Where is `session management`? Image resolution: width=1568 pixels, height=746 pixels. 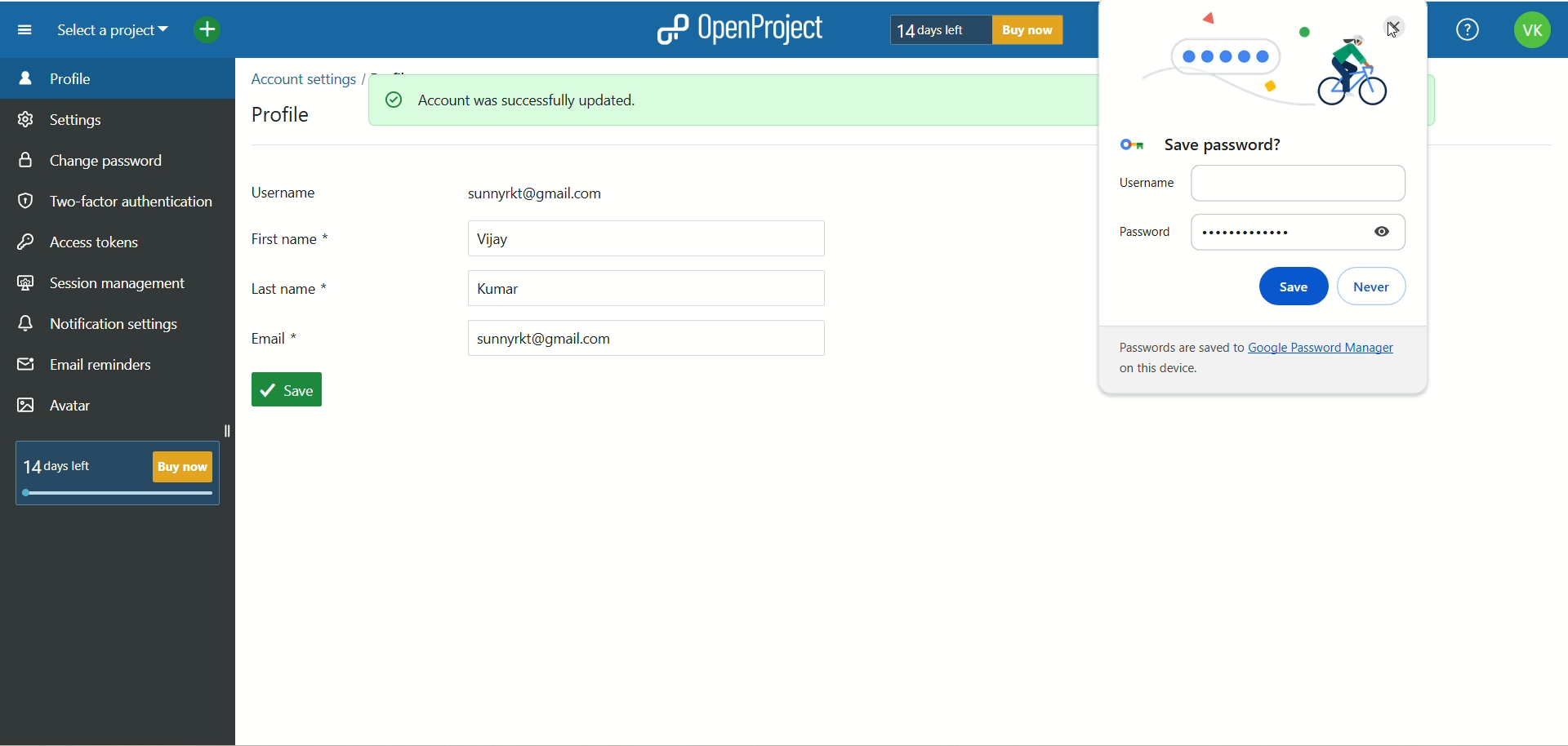
session management is located at coordinates (102, 285).